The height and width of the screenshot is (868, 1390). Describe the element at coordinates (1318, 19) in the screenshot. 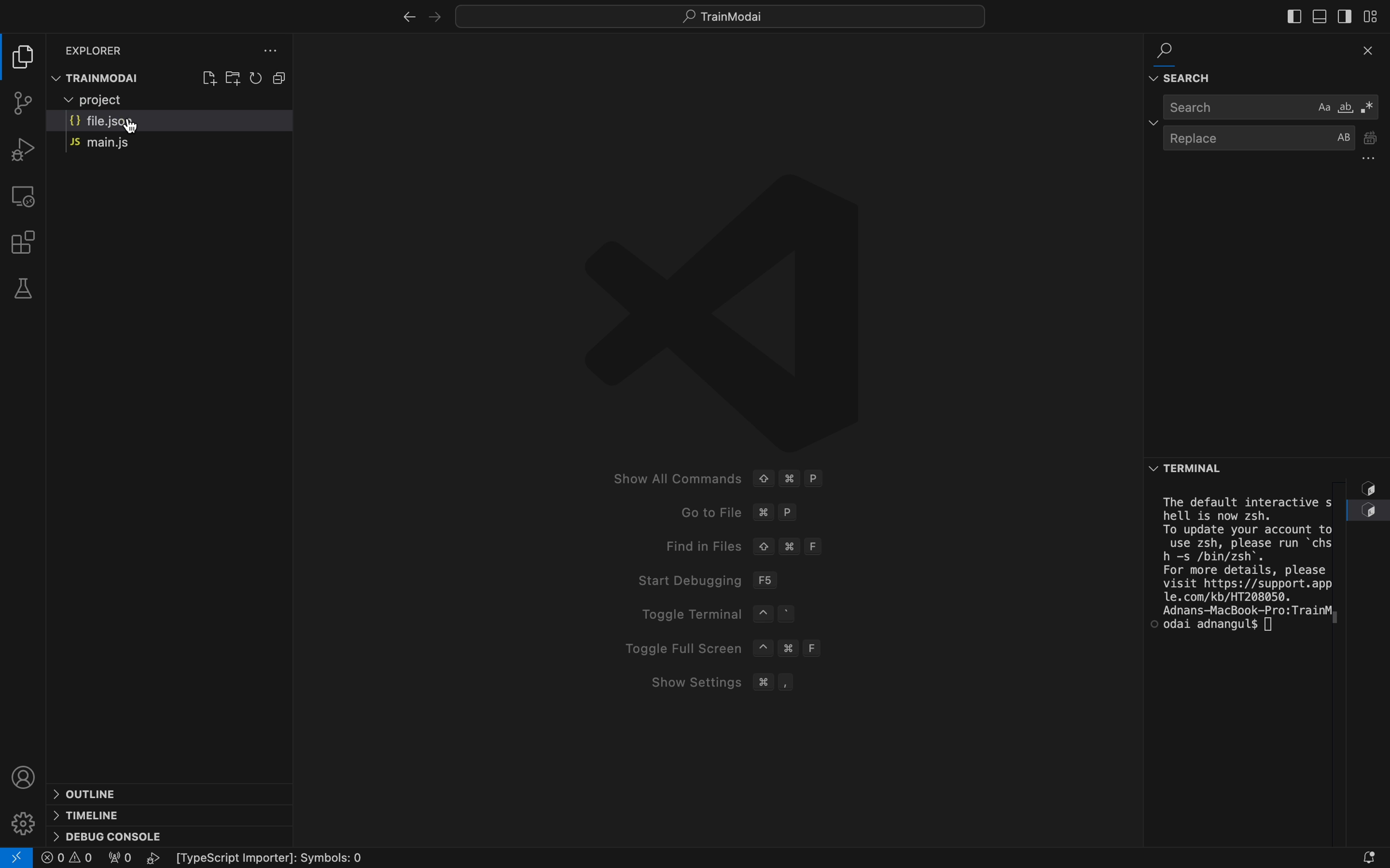

I see `toggle primary bar` at that location.